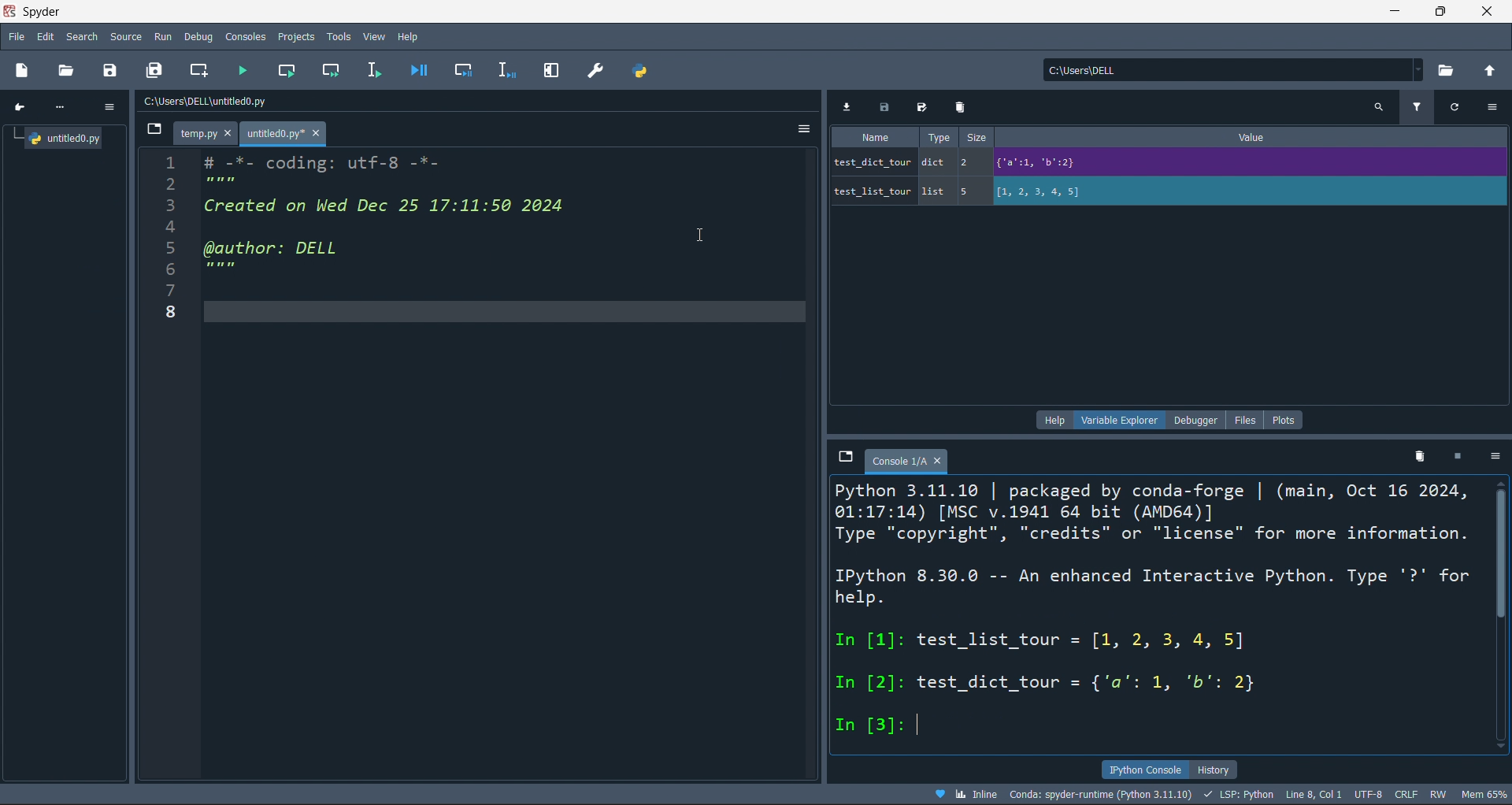  Describe the element at coordinates (399, 236) in the screenshot. I see `# -*- coding: utf-8 -*-
Created on Wed Dec 25 17:11:50 2024
@author: DELL` at that location.